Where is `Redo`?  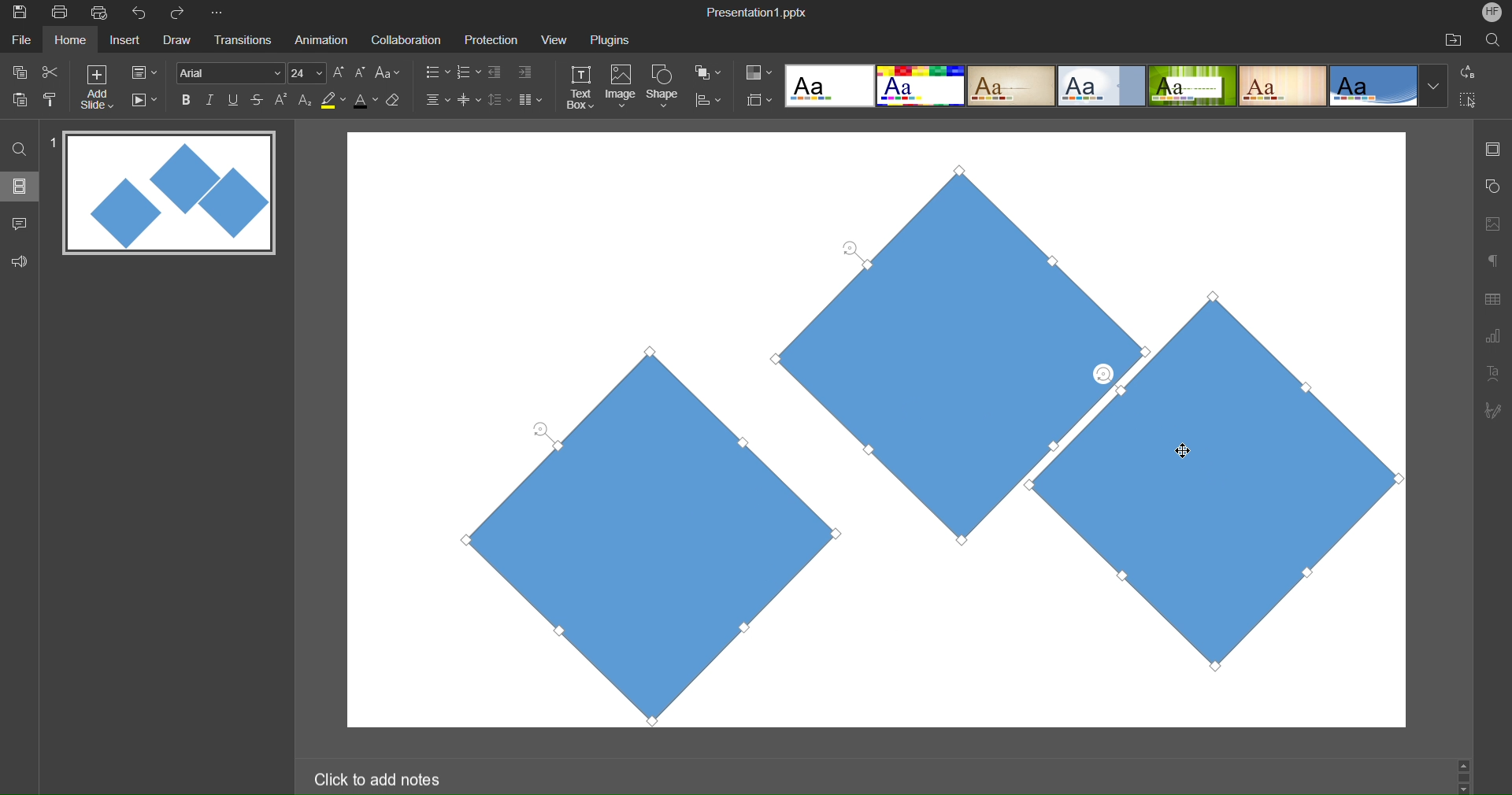
Redo is located at coordinates (183, 13).